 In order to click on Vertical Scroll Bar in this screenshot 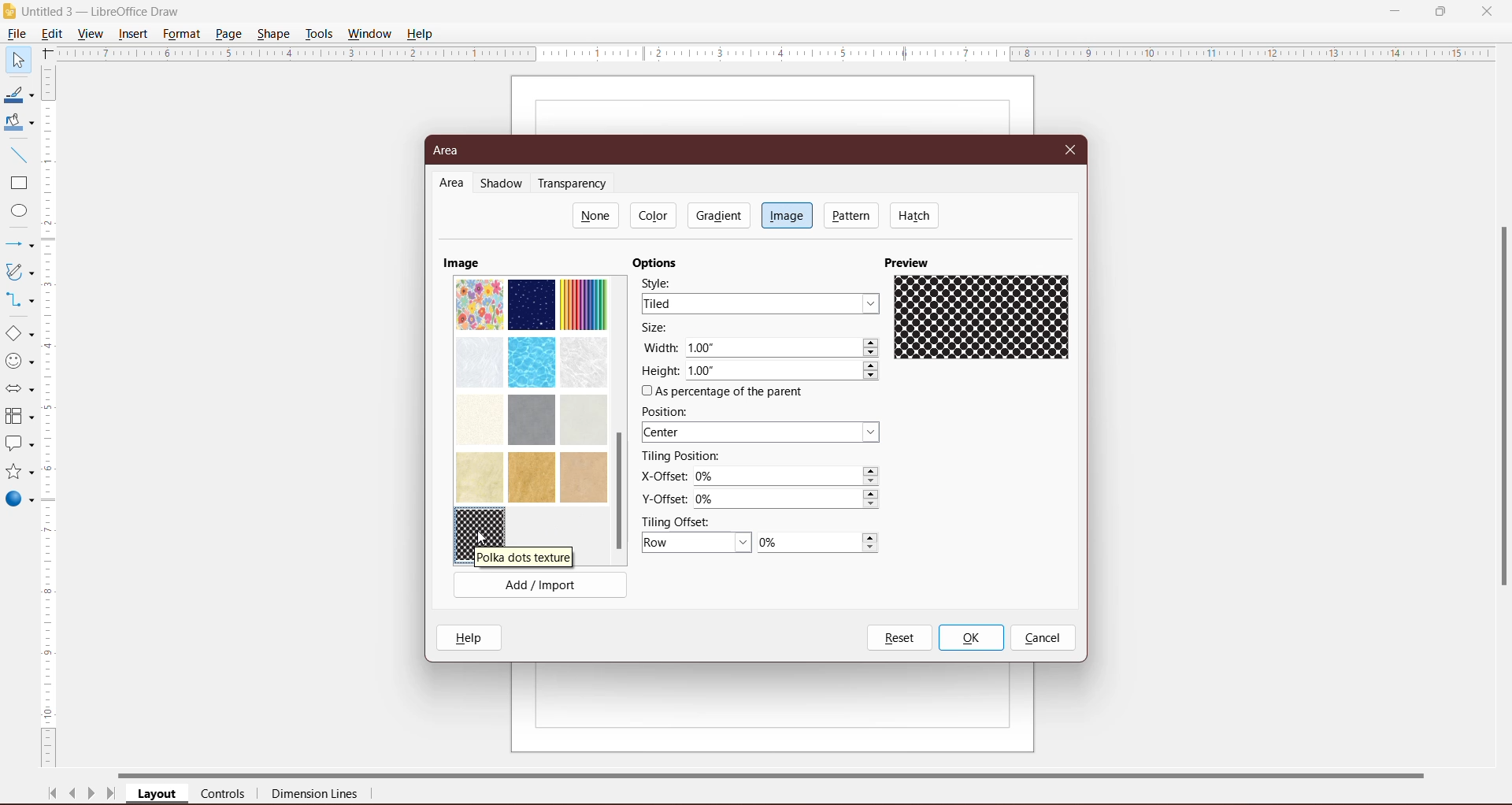, I will do `click(50, 417)`.